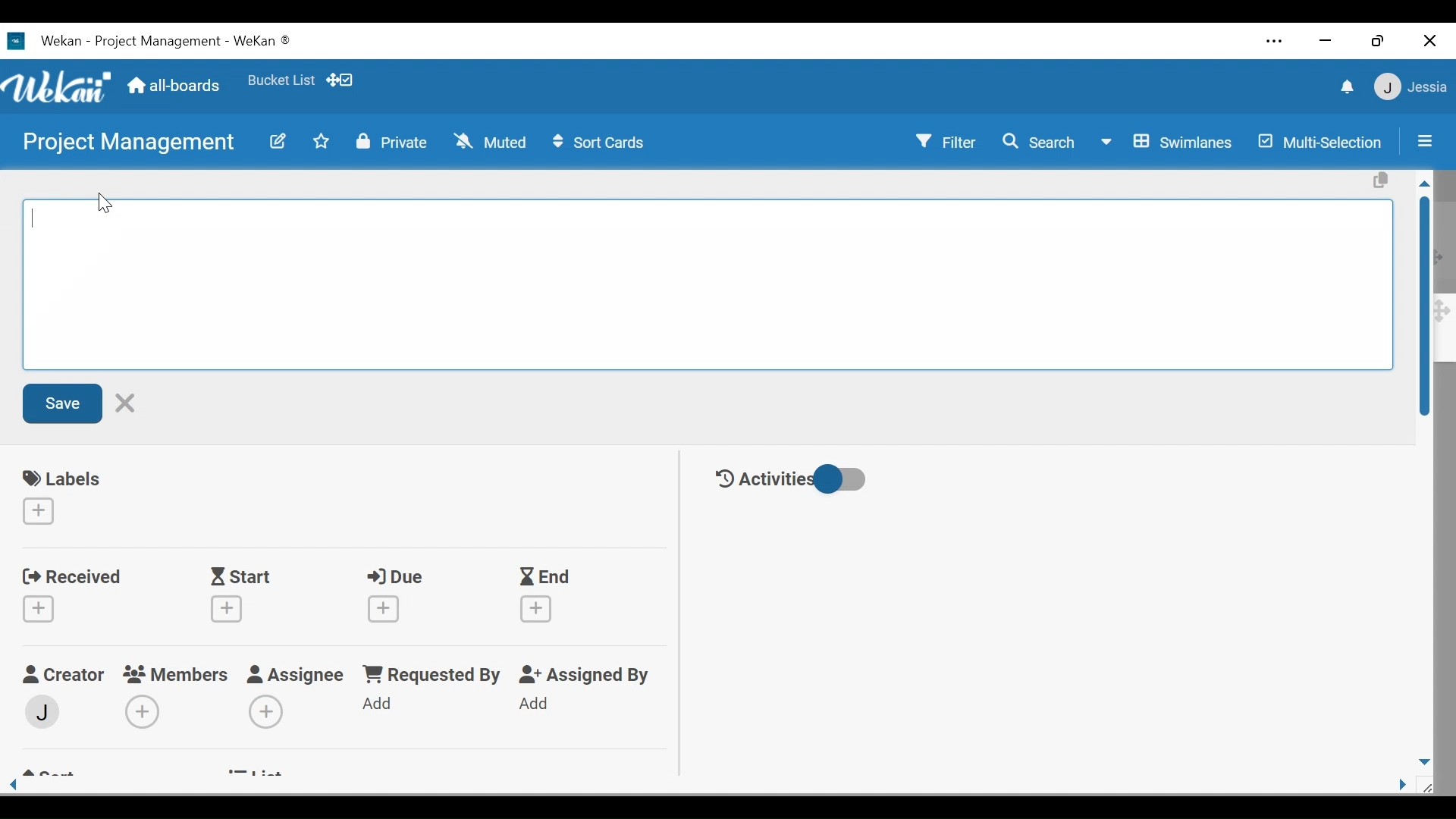 The height and width of the screenshot is (819, 1456). I want to click on notification, so click(1349, 88).